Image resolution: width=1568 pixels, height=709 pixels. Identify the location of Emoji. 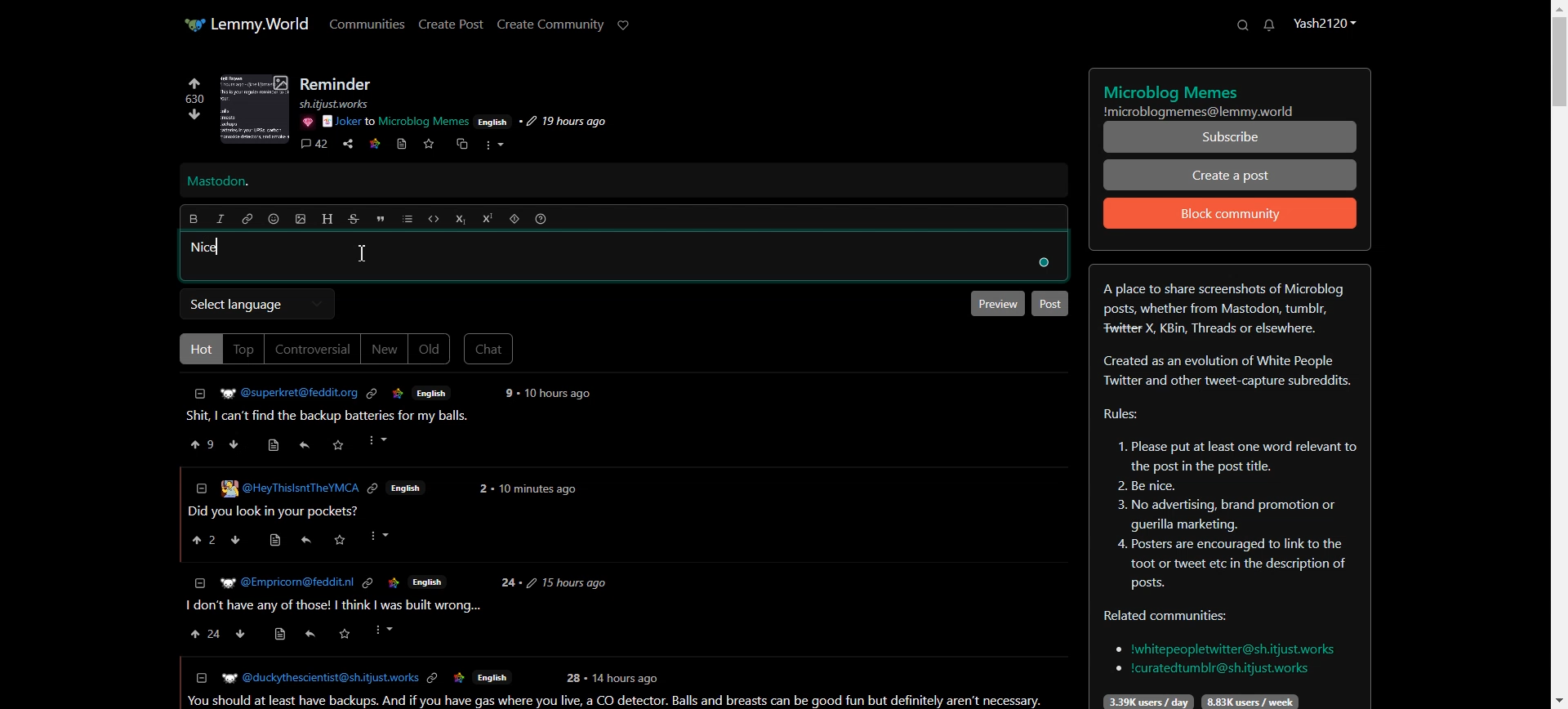
(274, 219).